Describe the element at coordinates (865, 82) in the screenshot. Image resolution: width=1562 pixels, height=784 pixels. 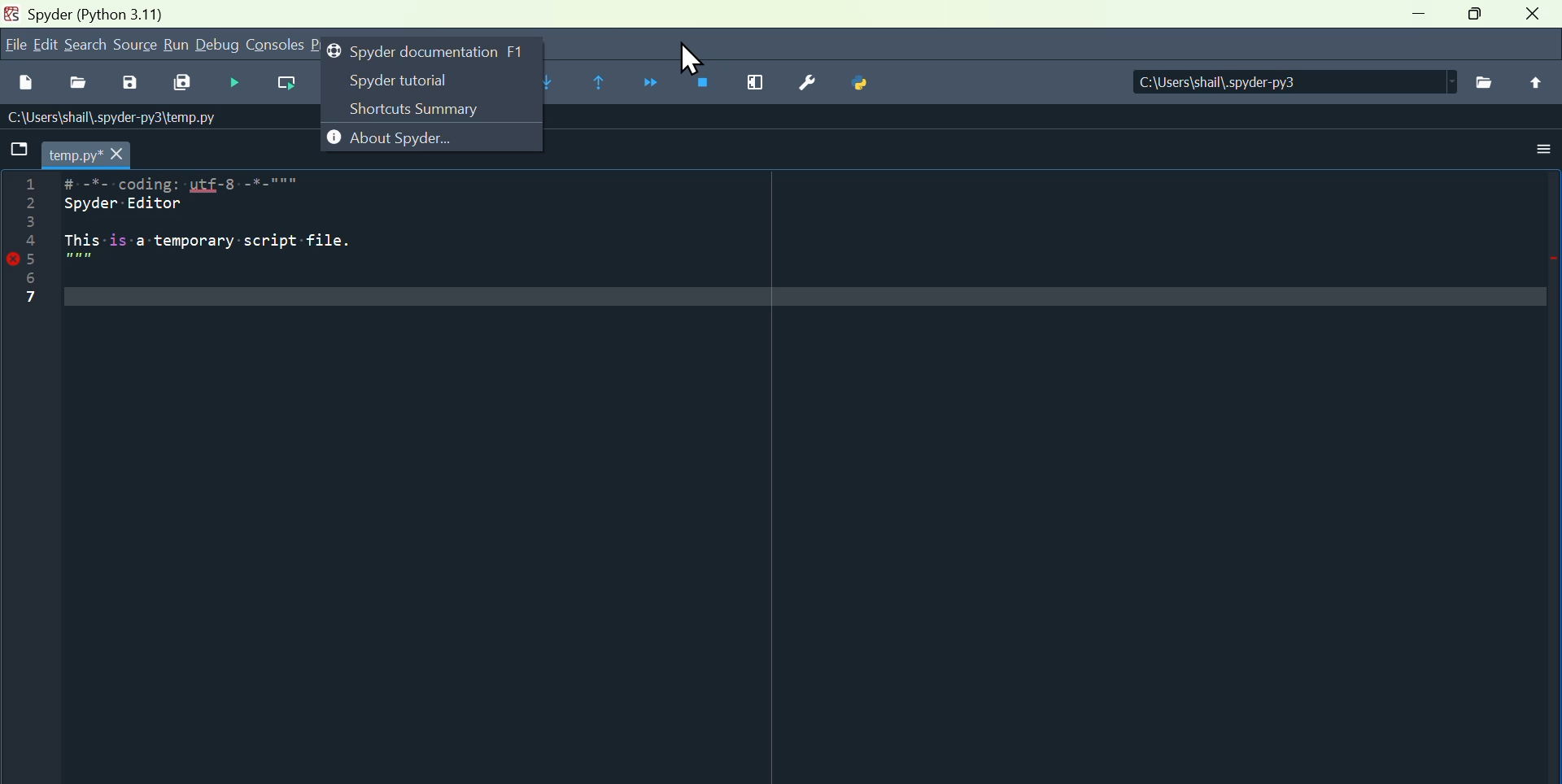
I see `Python path manager` at that location.